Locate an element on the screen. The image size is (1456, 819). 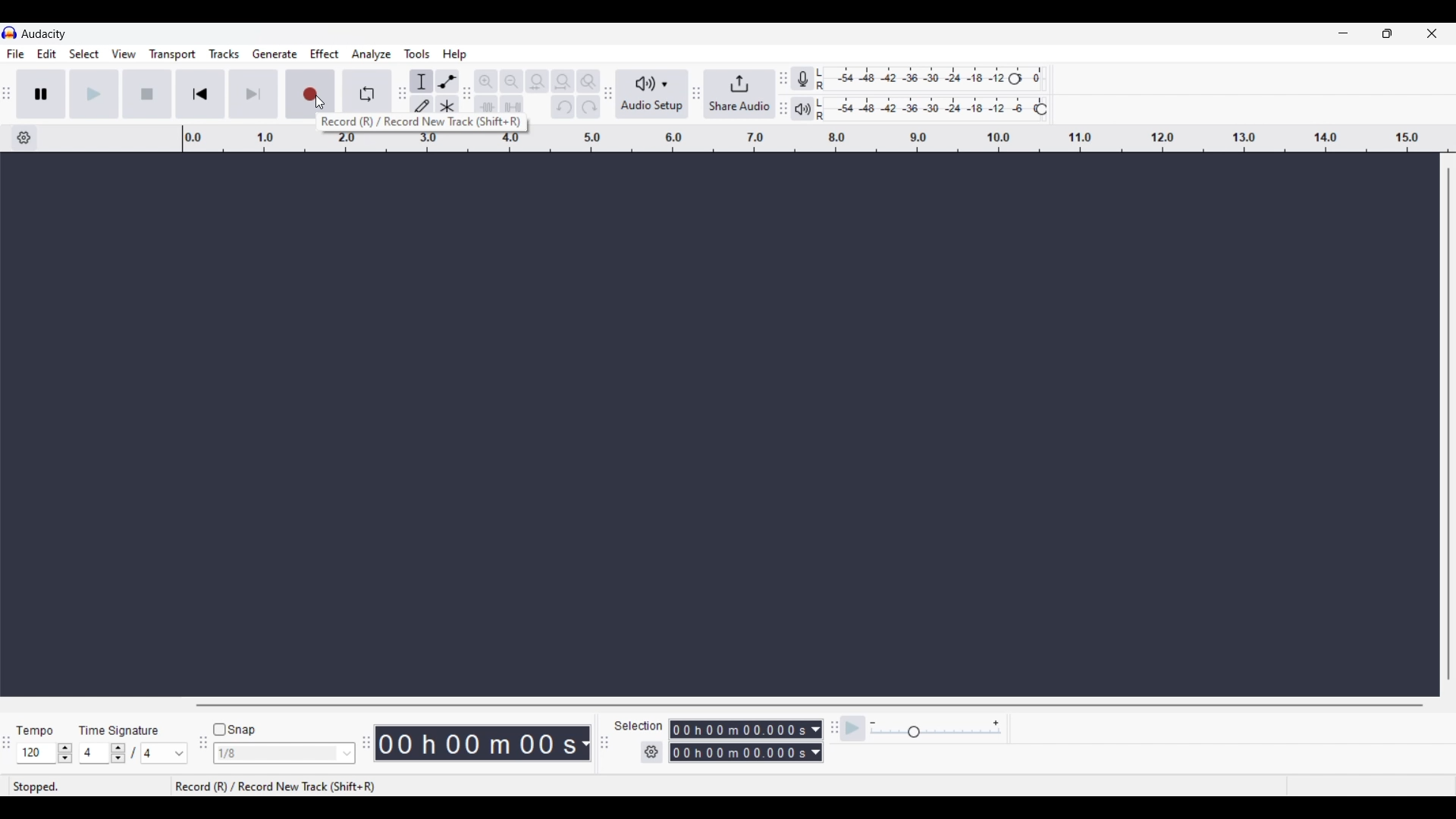
Audio setup is located at coordinates (651, 95).